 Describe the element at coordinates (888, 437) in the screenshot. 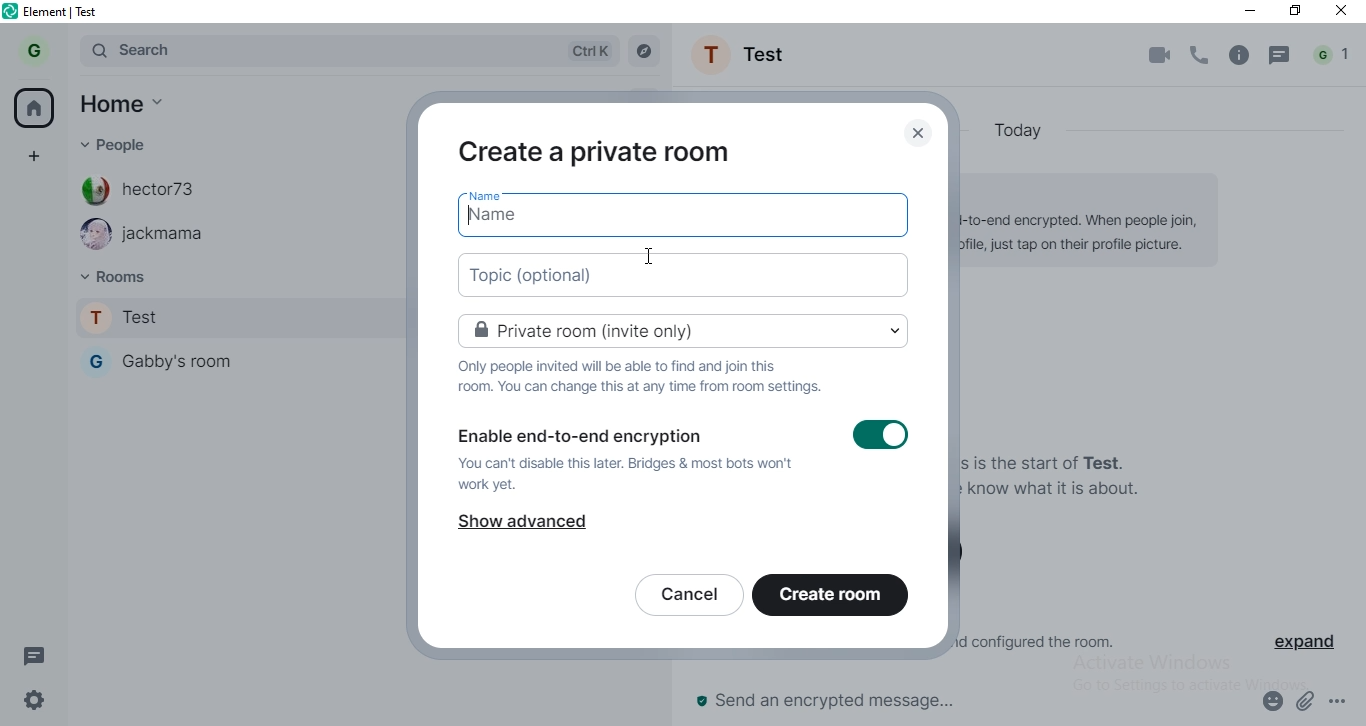

I see `switch` at that location.